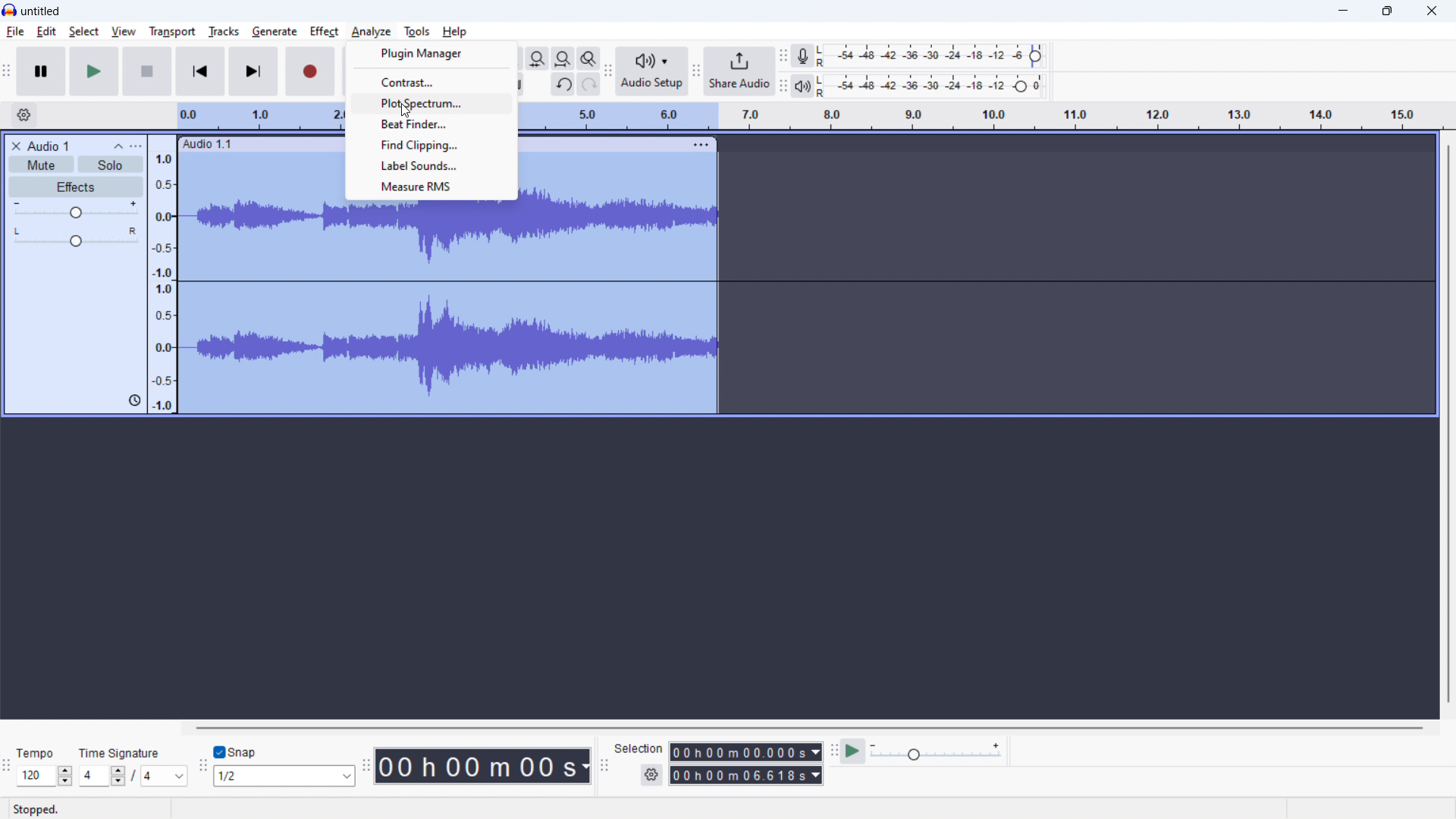  I want to click on time toolbar, so click(366, 770).